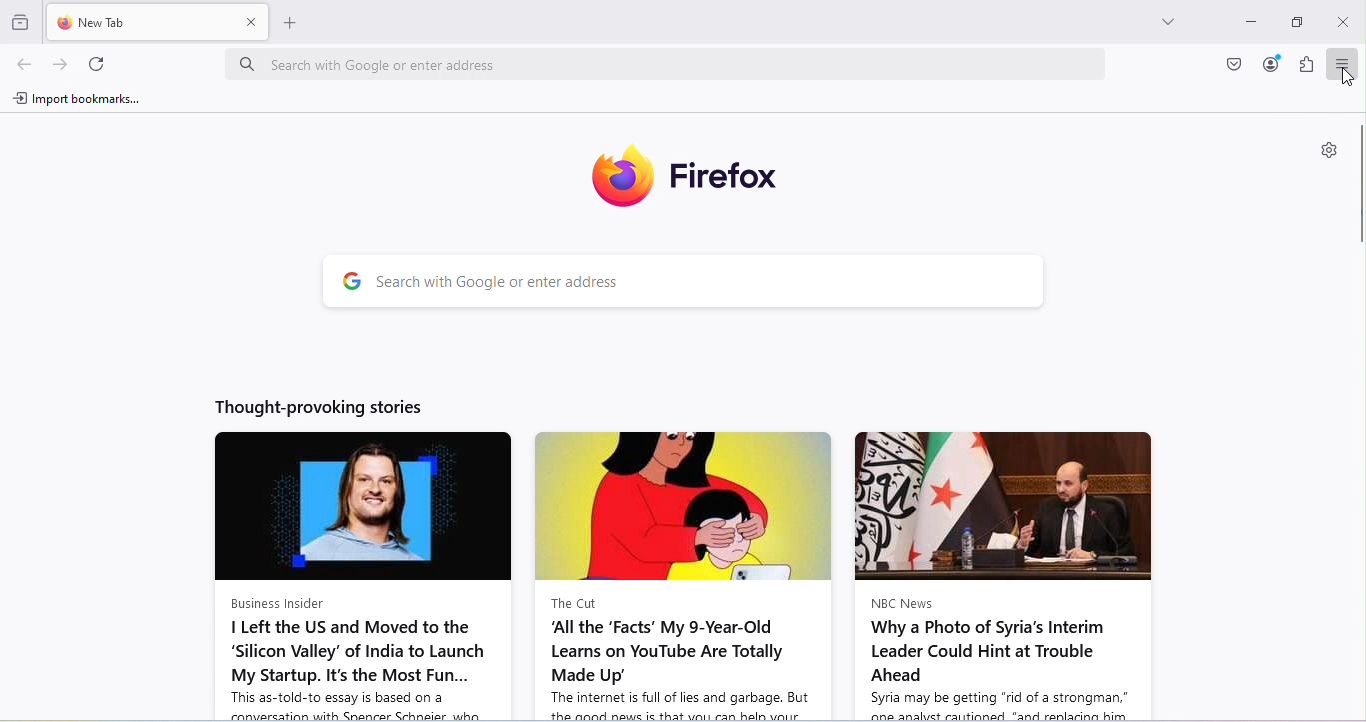 Image resolution: width=1366 pixels, height=722 pixels. Describe the element at coordinates (1340, 64) in the screenshot. I see `Open application menu` at that location.